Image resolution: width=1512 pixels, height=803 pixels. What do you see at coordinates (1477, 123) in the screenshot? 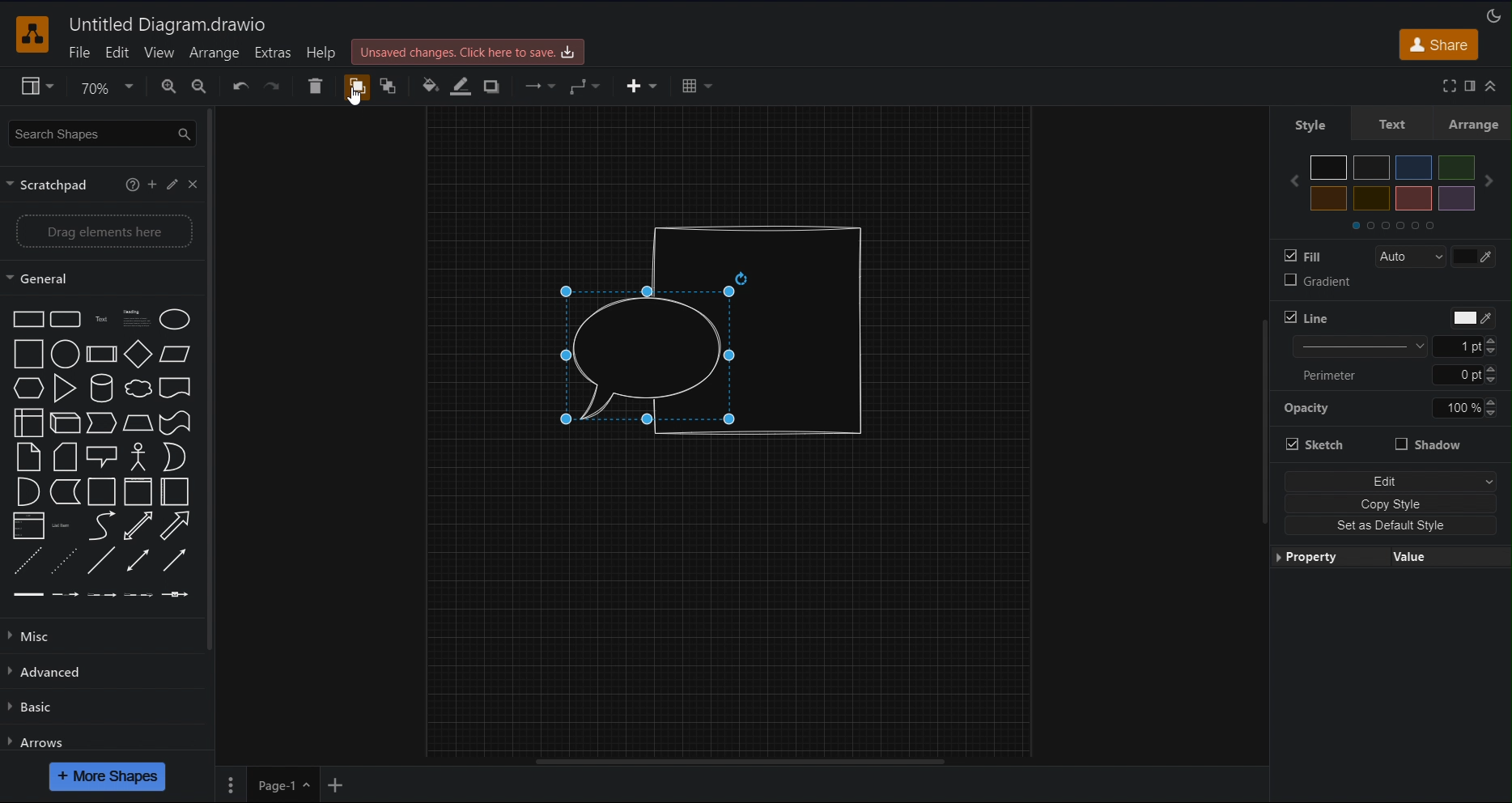
I see `Arrange` at bounding box center [1477, 123].